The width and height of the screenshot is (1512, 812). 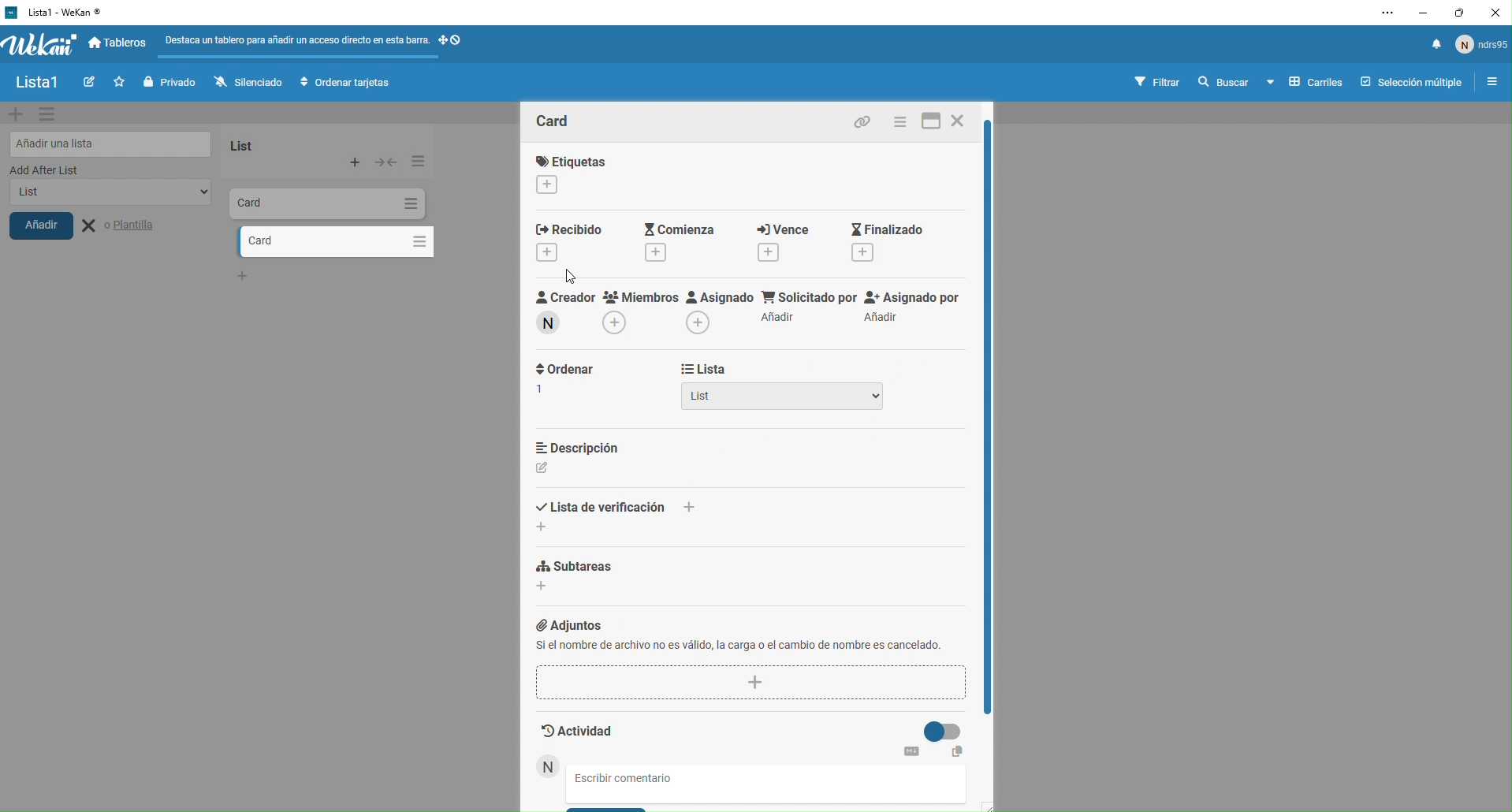 I want to click on subtareas, so click(x=637, y=583).